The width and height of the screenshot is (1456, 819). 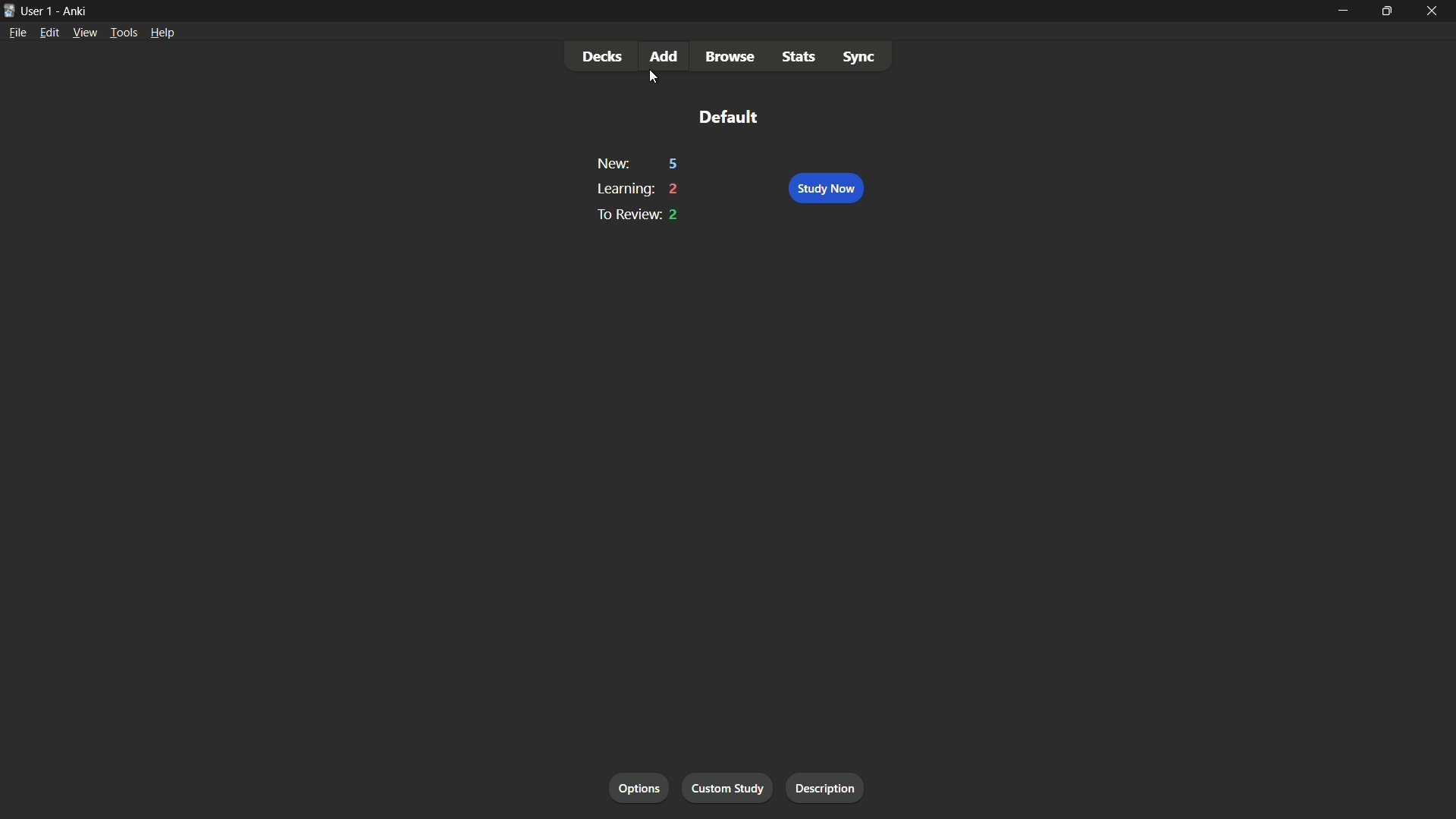 What do you see at coordinates (85, 33) in the screenshot?
I see `view menu` at bounding box center [85, 33].